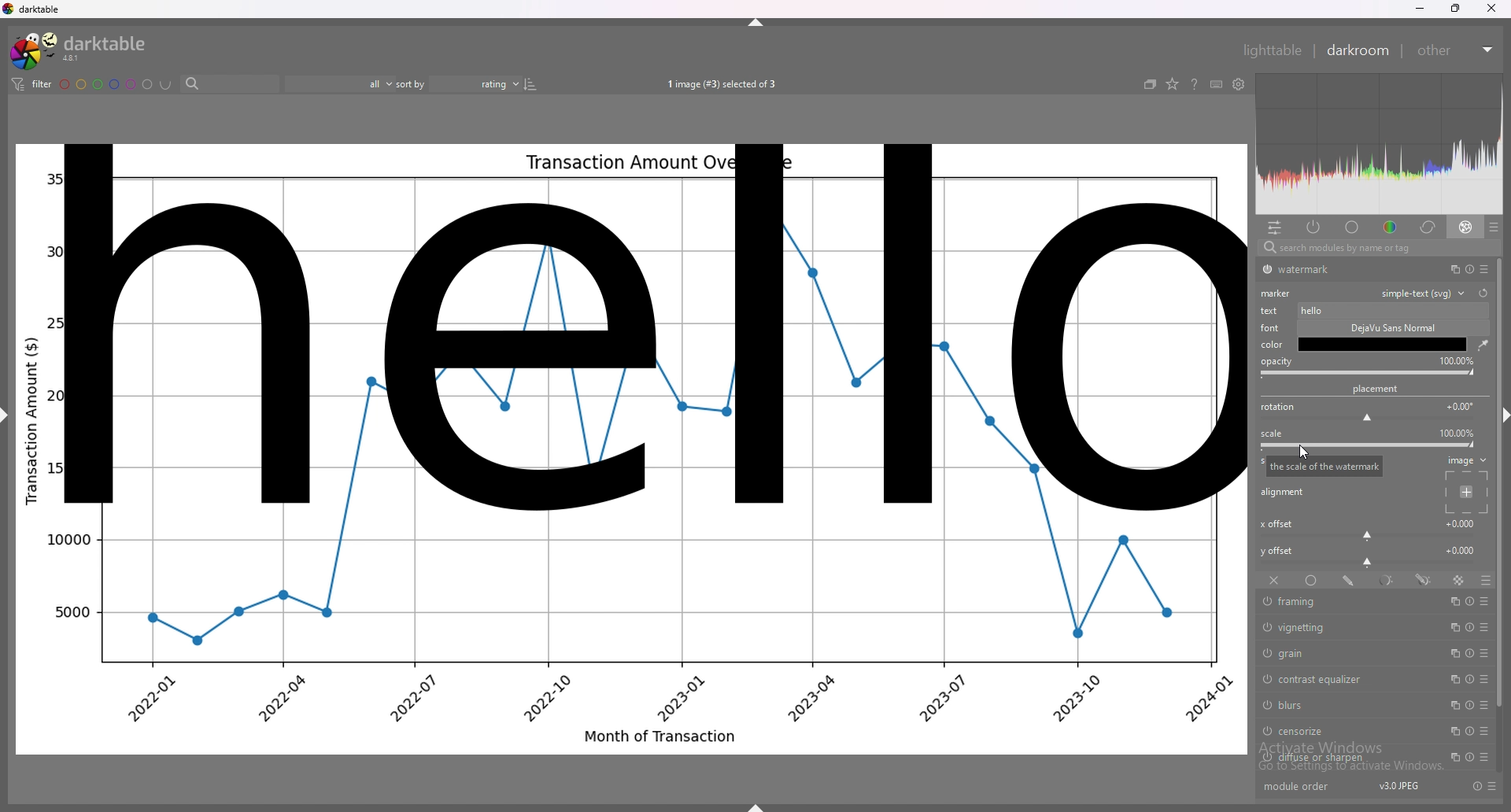  I want to click on rotation bar, so click(1366, 419).